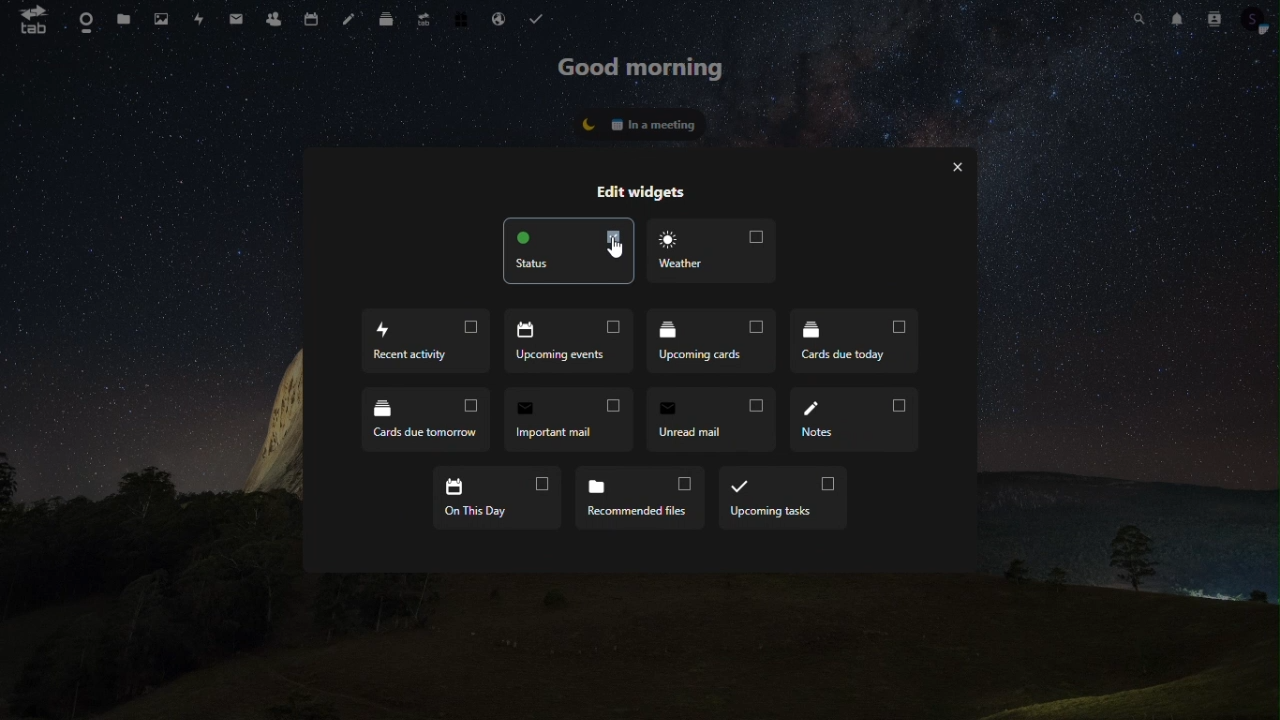  Describe the element at coordinates (1216, 21) in the screenshot. I see `contacts` at that location.